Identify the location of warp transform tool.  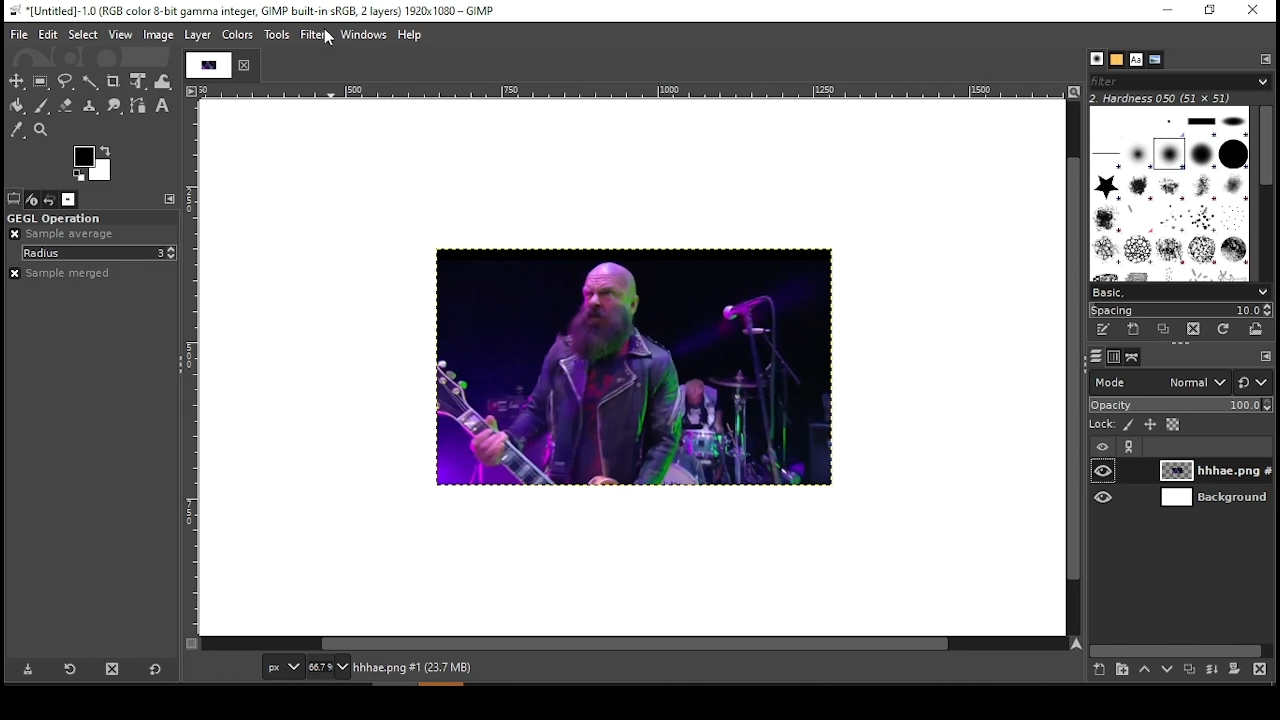
(163, 80).